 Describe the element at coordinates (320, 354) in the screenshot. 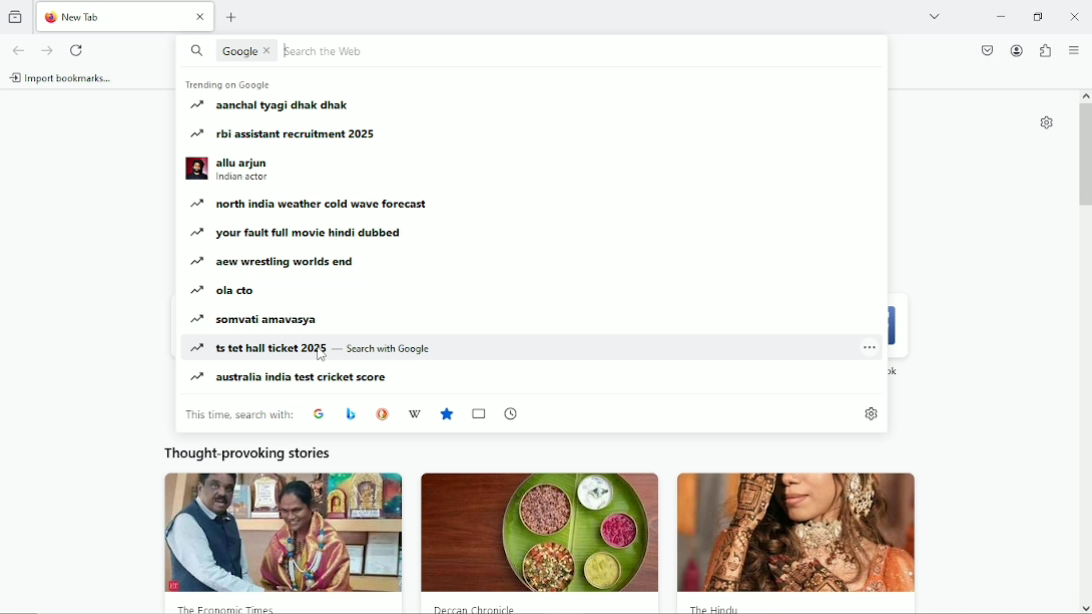

I see `cursor movement` at that location.